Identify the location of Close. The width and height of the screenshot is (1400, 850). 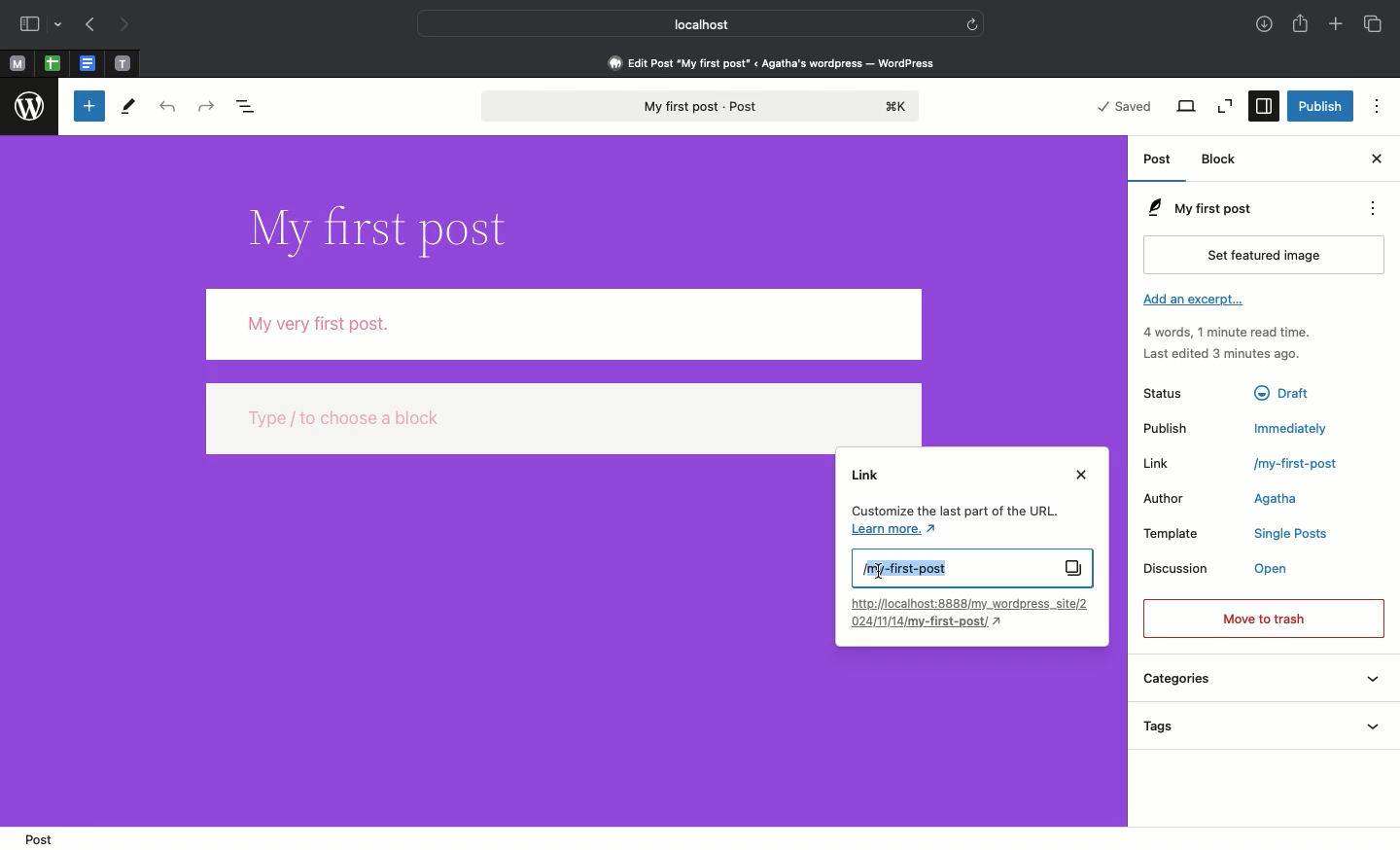
(1079, 476).